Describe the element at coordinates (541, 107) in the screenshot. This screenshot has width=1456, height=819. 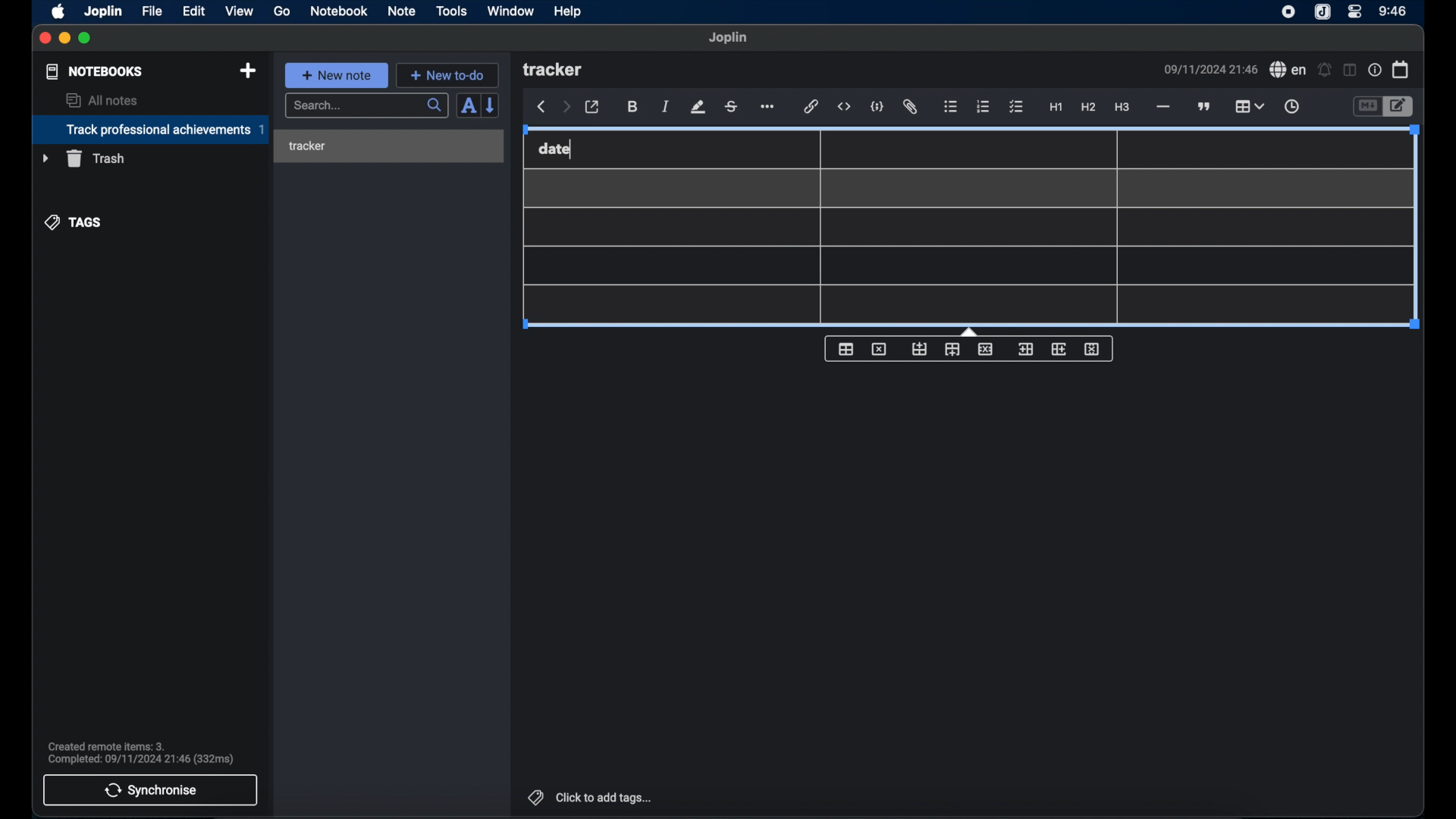
I see `back` at that location.